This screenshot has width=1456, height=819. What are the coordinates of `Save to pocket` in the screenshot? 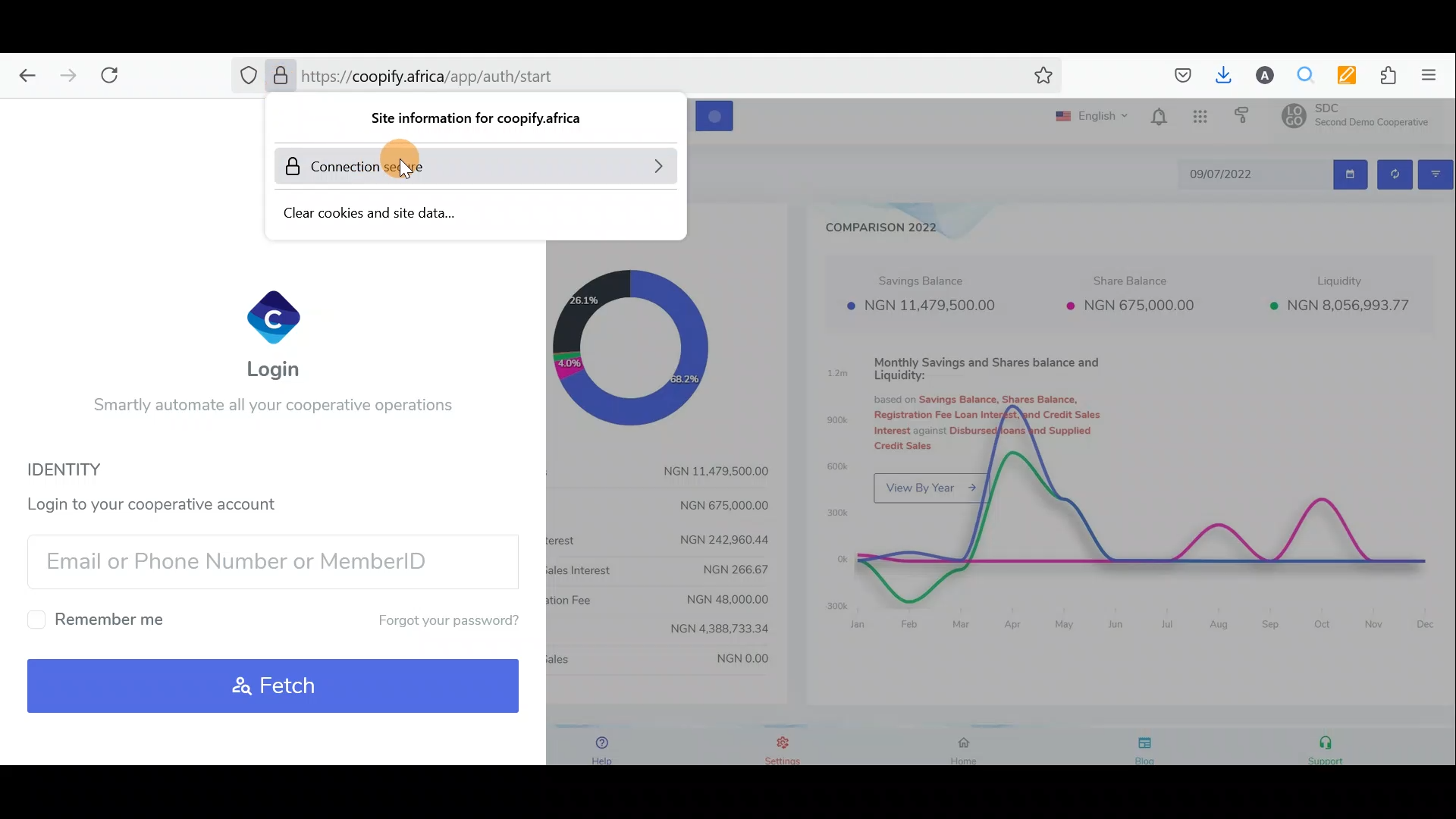 It's located at (1177, 76).